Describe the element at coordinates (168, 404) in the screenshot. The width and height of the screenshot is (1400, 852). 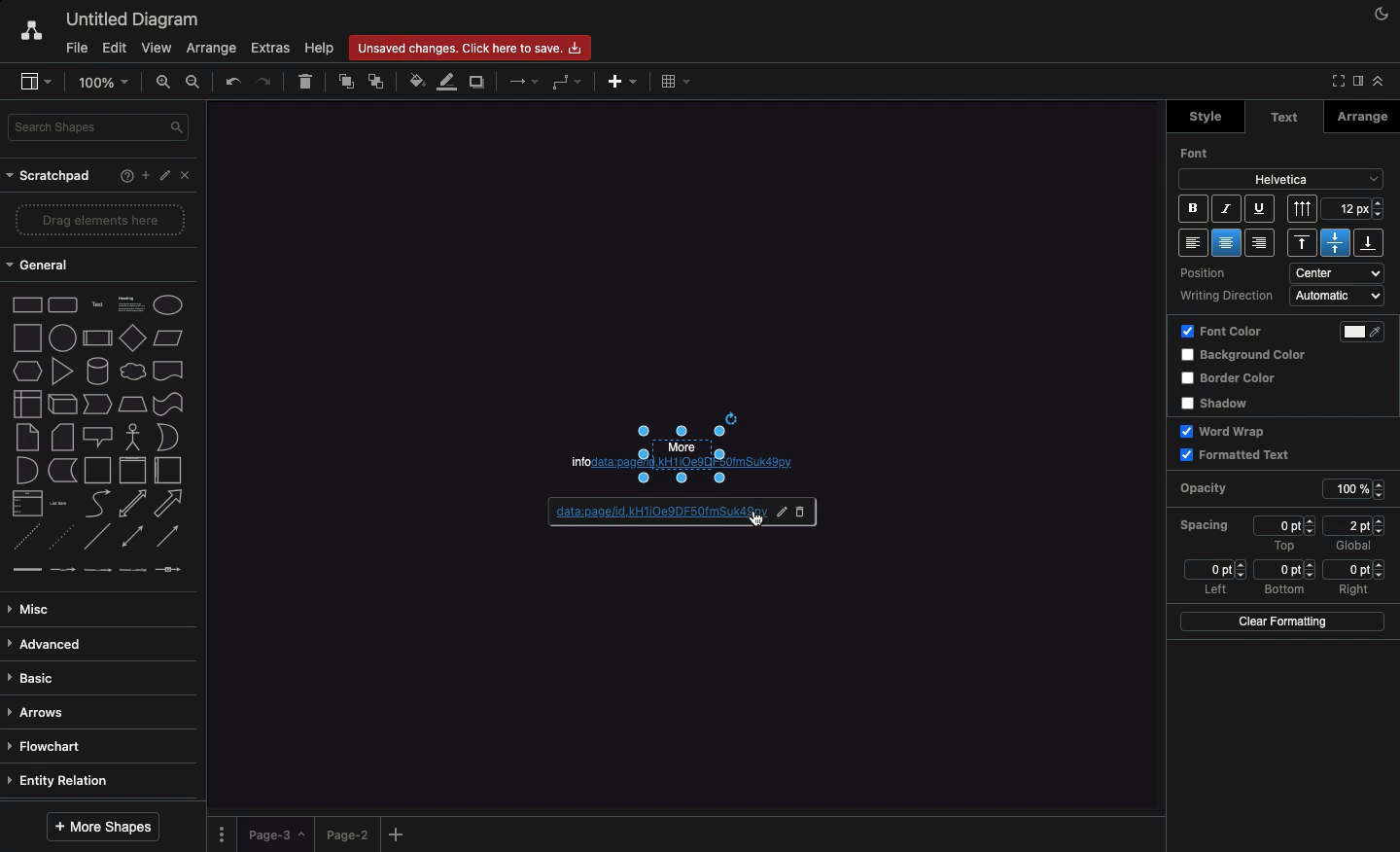
I see `tape` at that location.